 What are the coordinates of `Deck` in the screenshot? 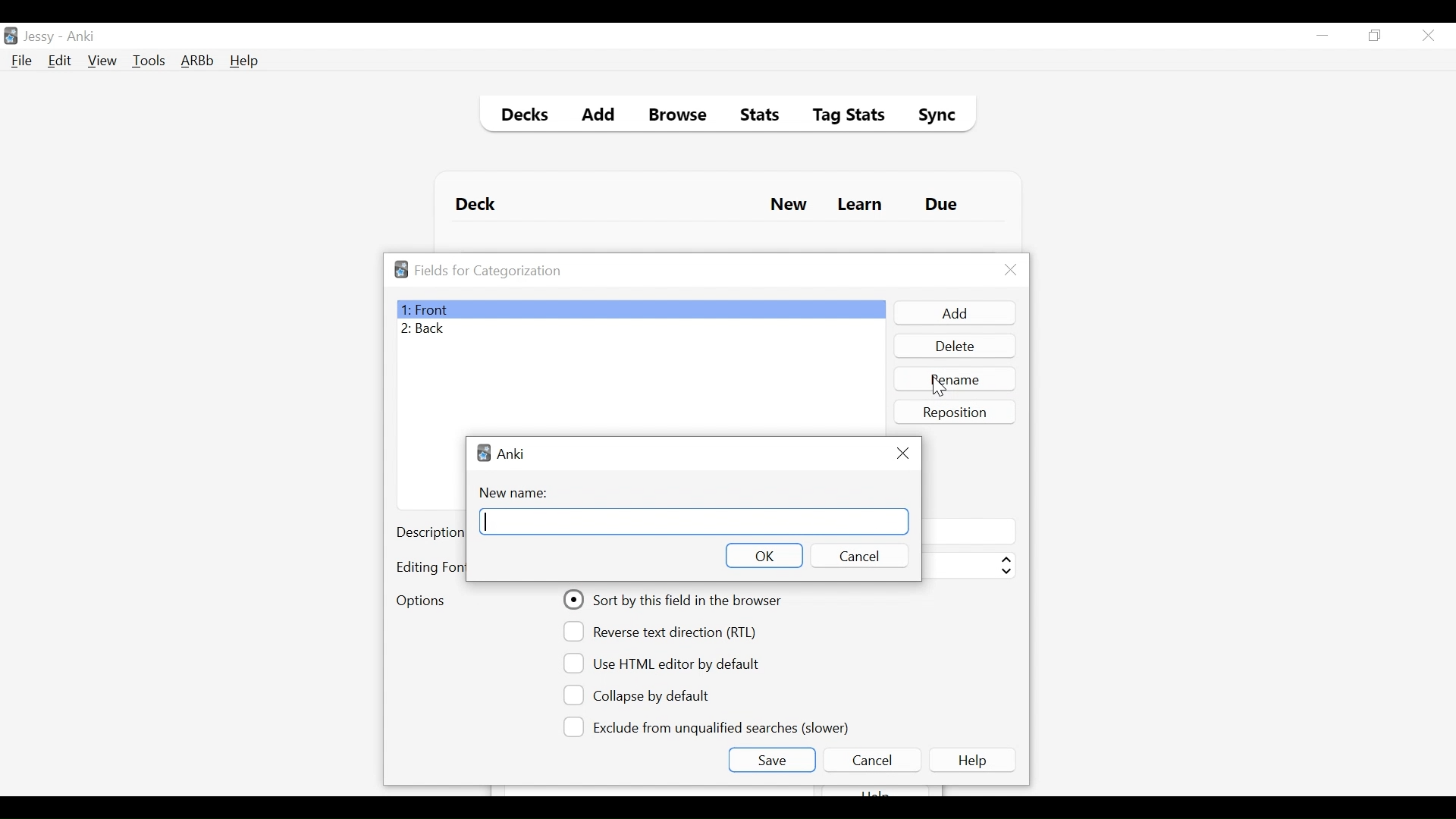 It's located at (479, 205).